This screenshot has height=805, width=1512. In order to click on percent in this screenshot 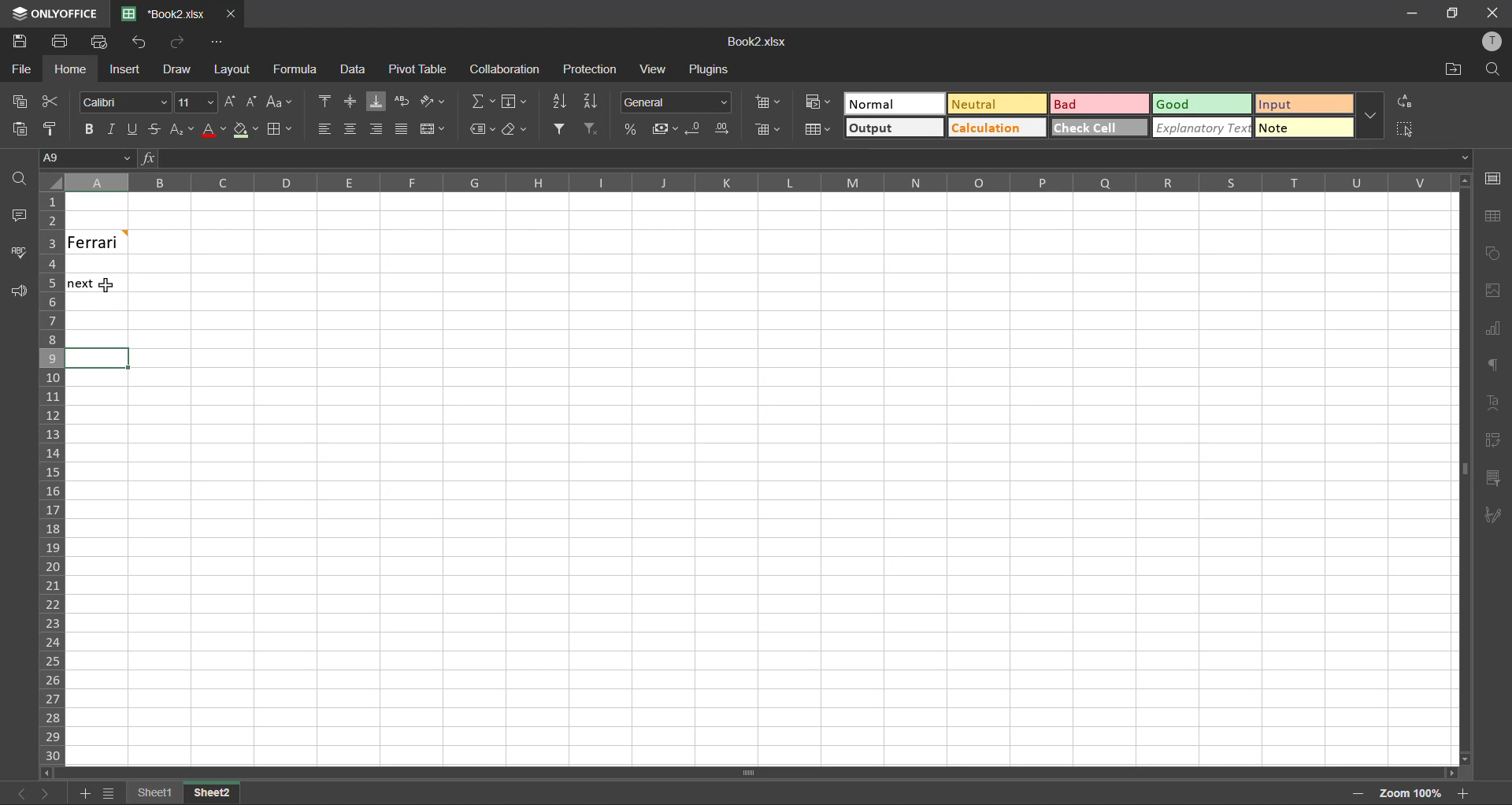, I will do `click(630, 131)`.